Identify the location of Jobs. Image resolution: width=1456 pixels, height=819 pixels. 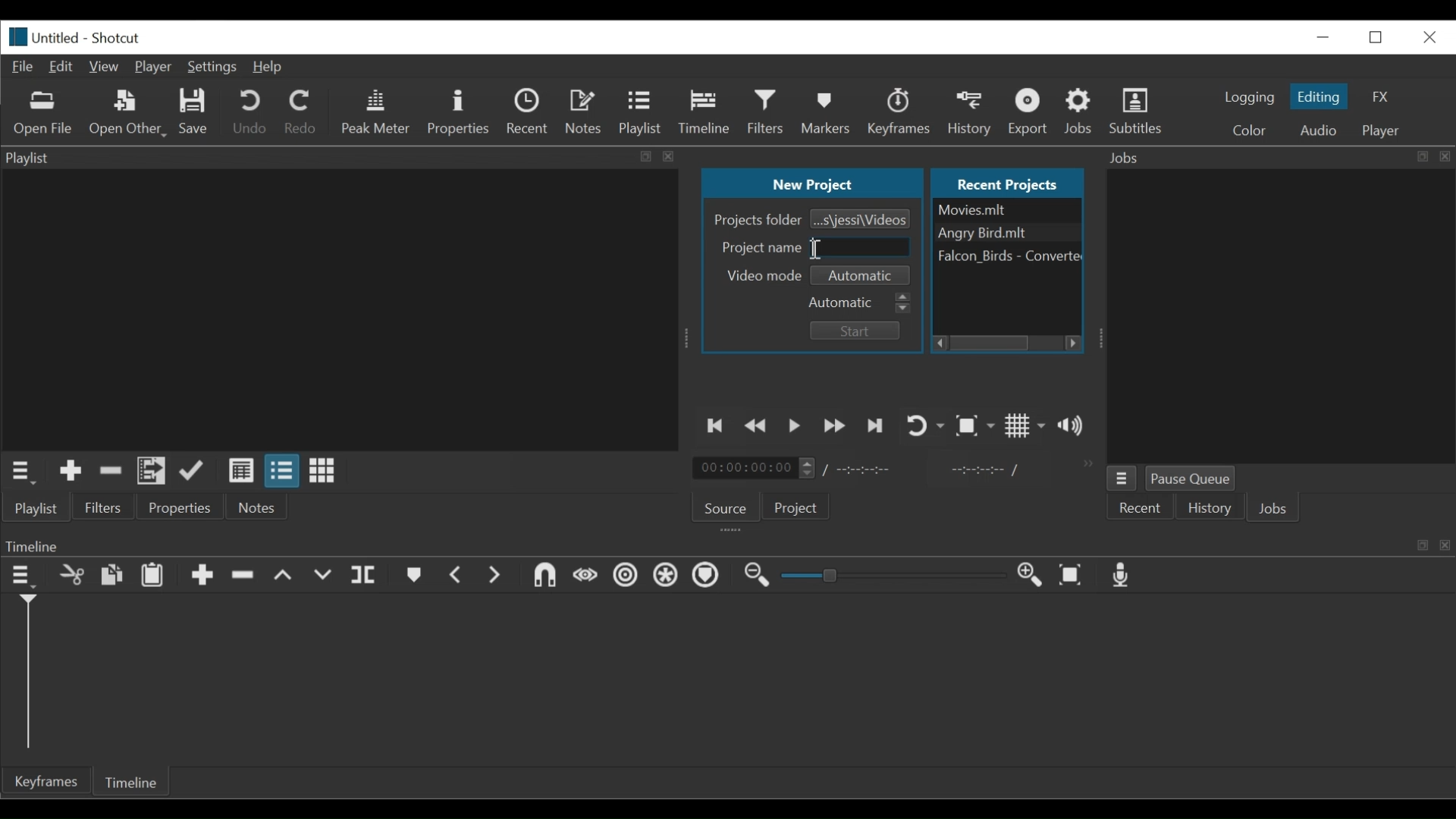
(1080, 113).